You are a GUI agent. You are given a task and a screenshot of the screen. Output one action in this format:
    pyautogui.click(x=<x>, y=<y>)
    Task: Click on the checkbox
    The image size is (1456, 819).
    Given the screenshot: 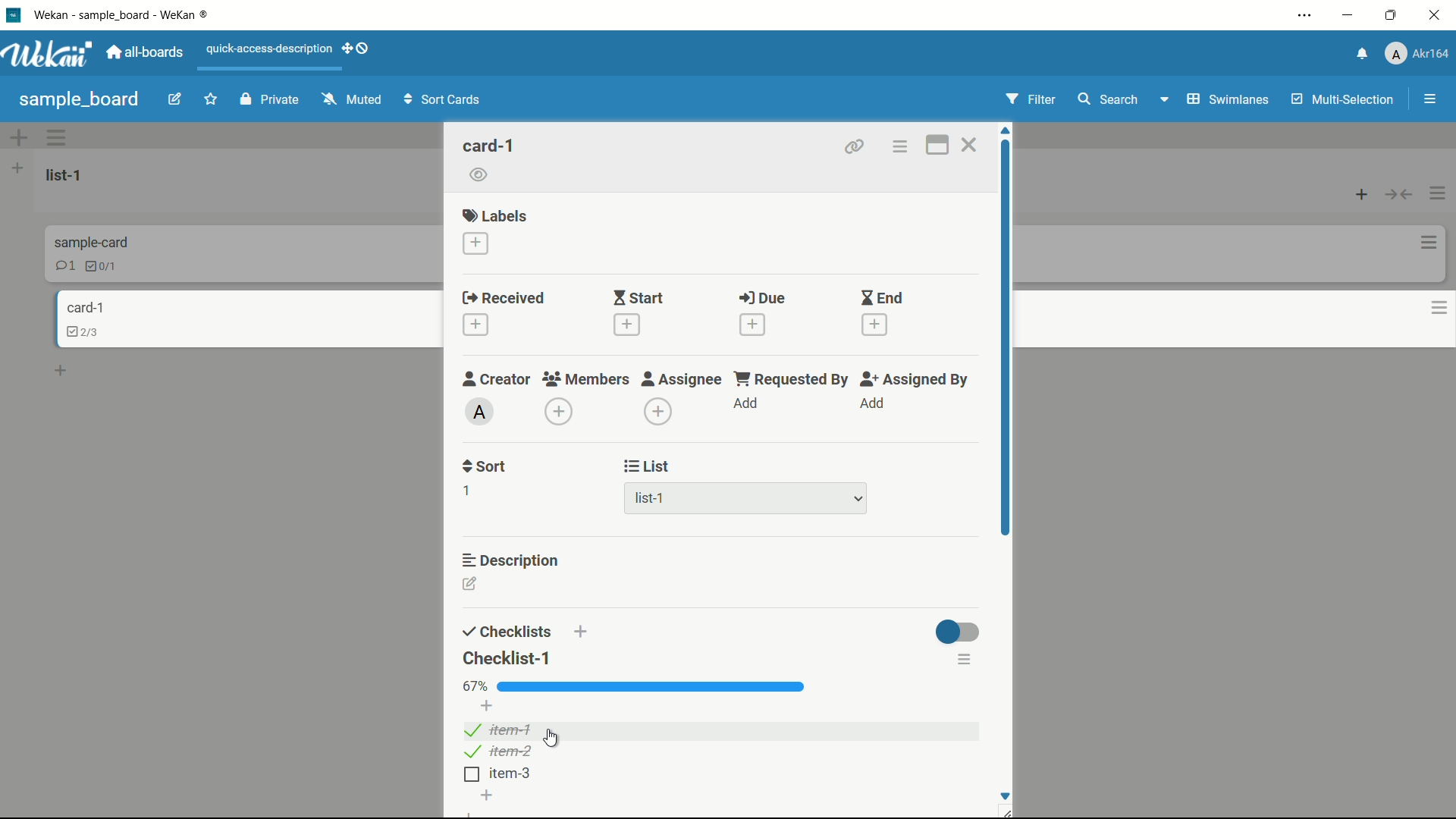 What is the action you would take?
    pyautogui.click(x=470, y=775)
    